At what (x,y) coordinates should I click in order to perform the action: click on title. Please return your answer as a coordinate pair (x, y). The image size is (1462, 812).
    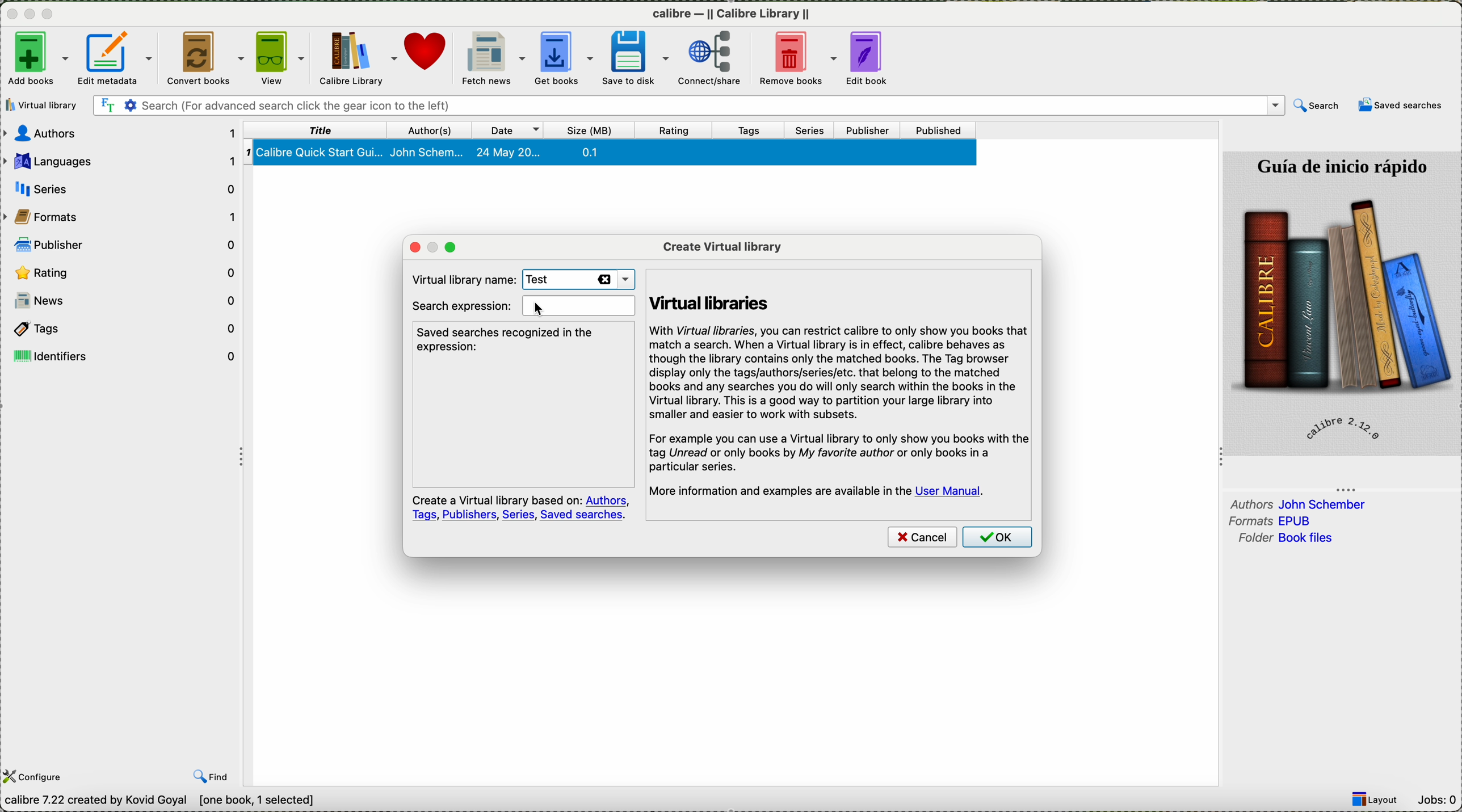
    Looking at the image, I should click on (317, 131).